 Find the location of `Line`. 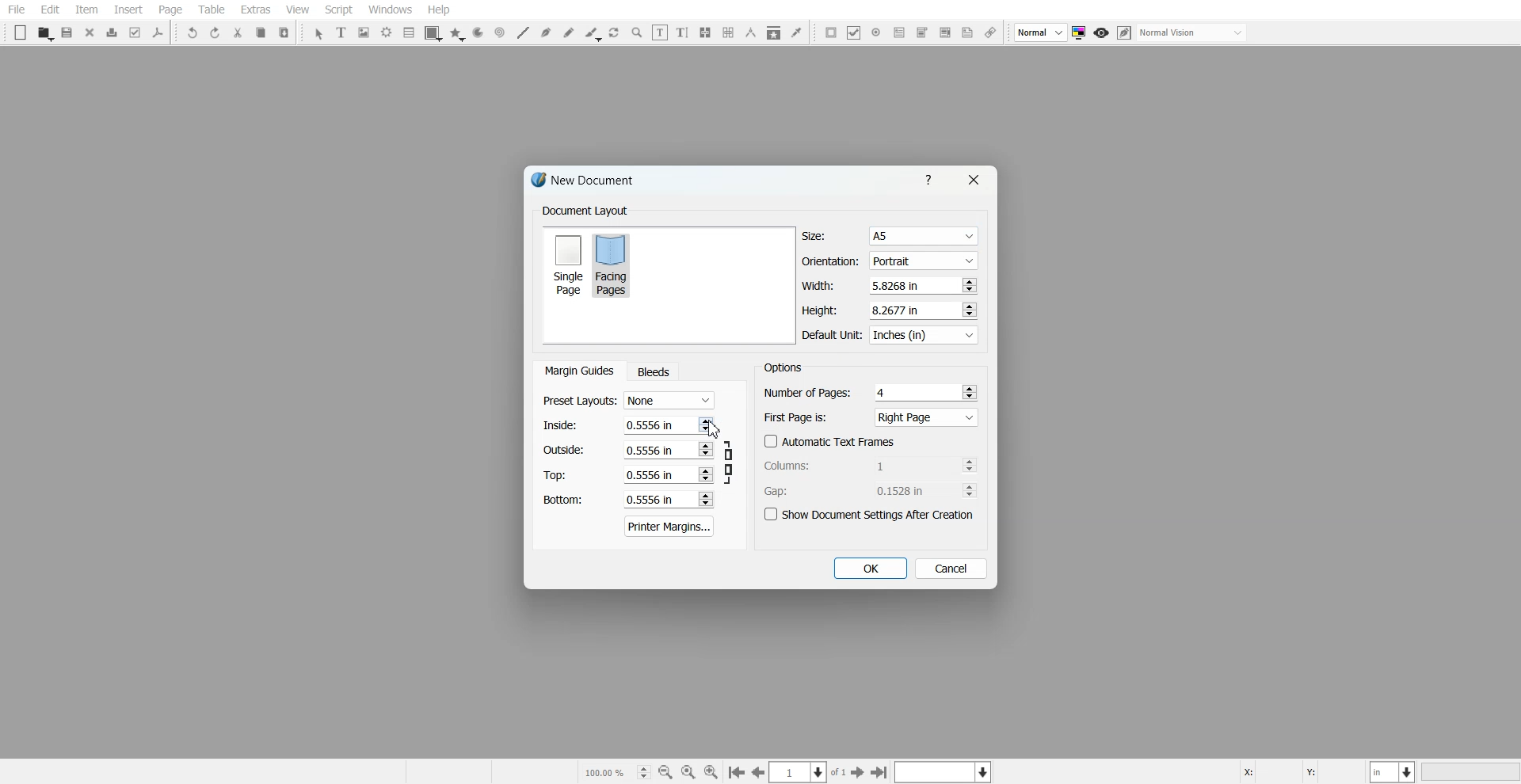

Line is located at coordinates (522, 32).